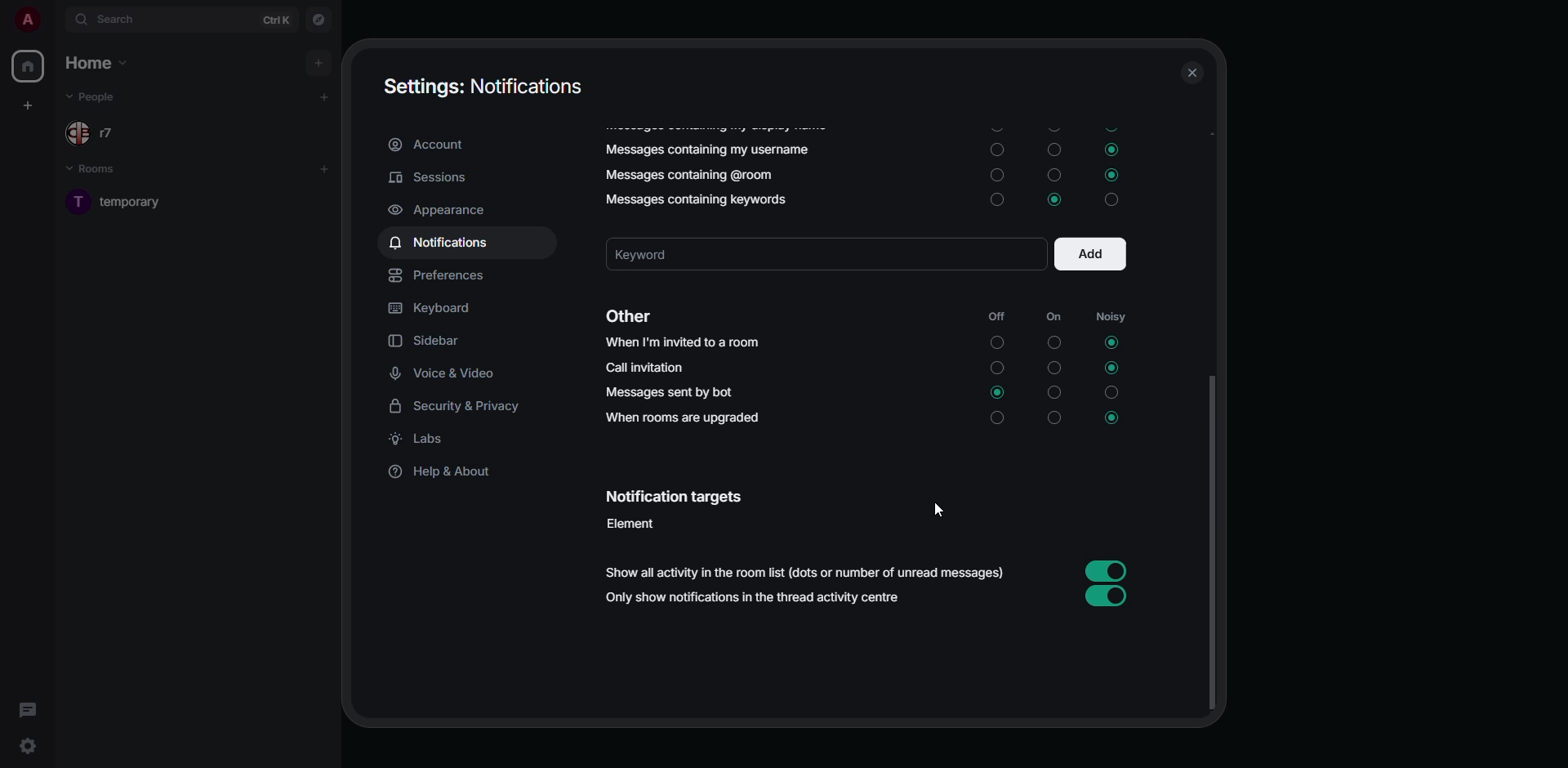  What do you see at coordinates (681, 419) in the screenshot?
I see `when rooms are upgraded` at bounding box center [681, 419].